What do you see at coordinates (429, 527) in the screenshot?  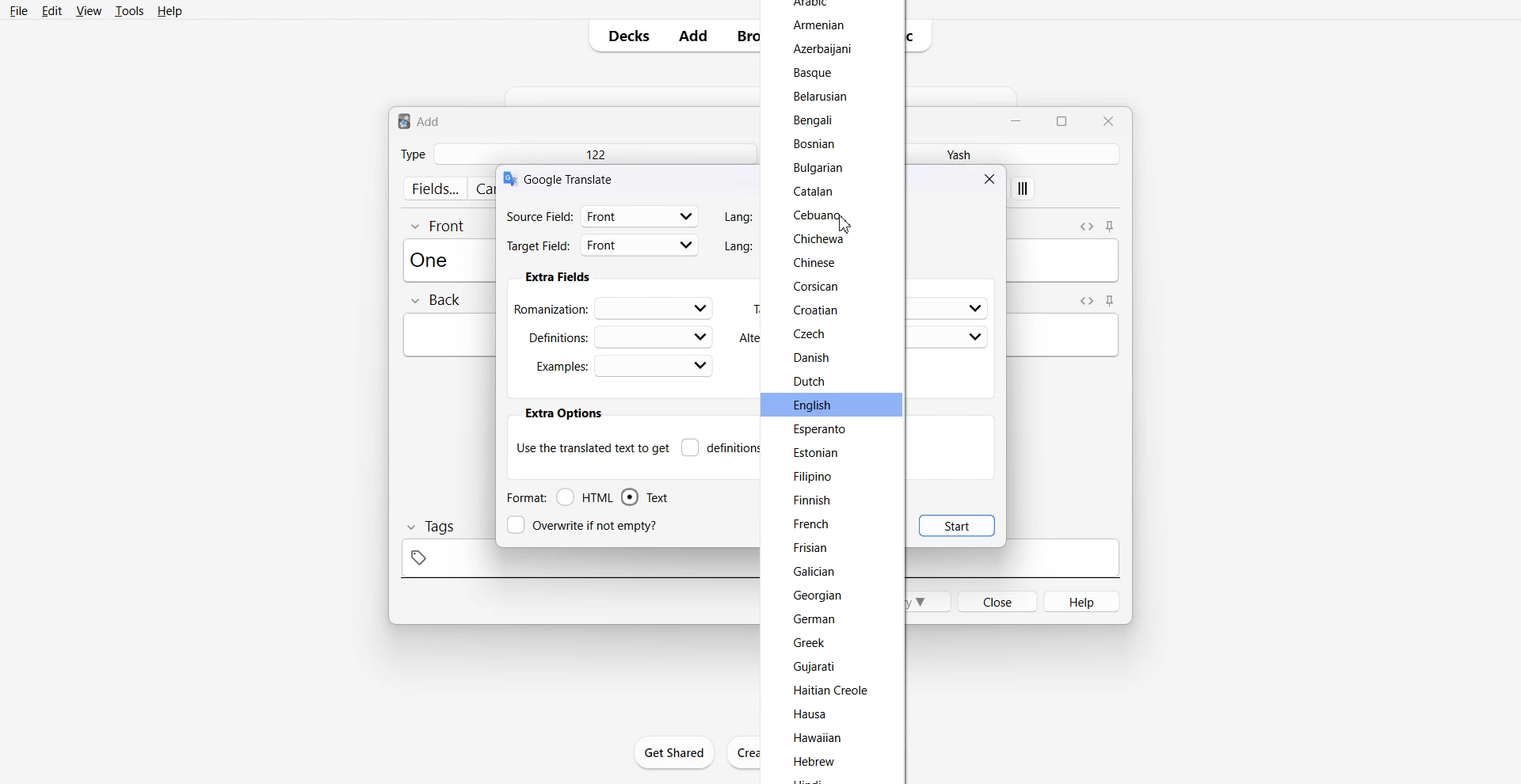 I see `Tags` at bounding box center [429, 527].